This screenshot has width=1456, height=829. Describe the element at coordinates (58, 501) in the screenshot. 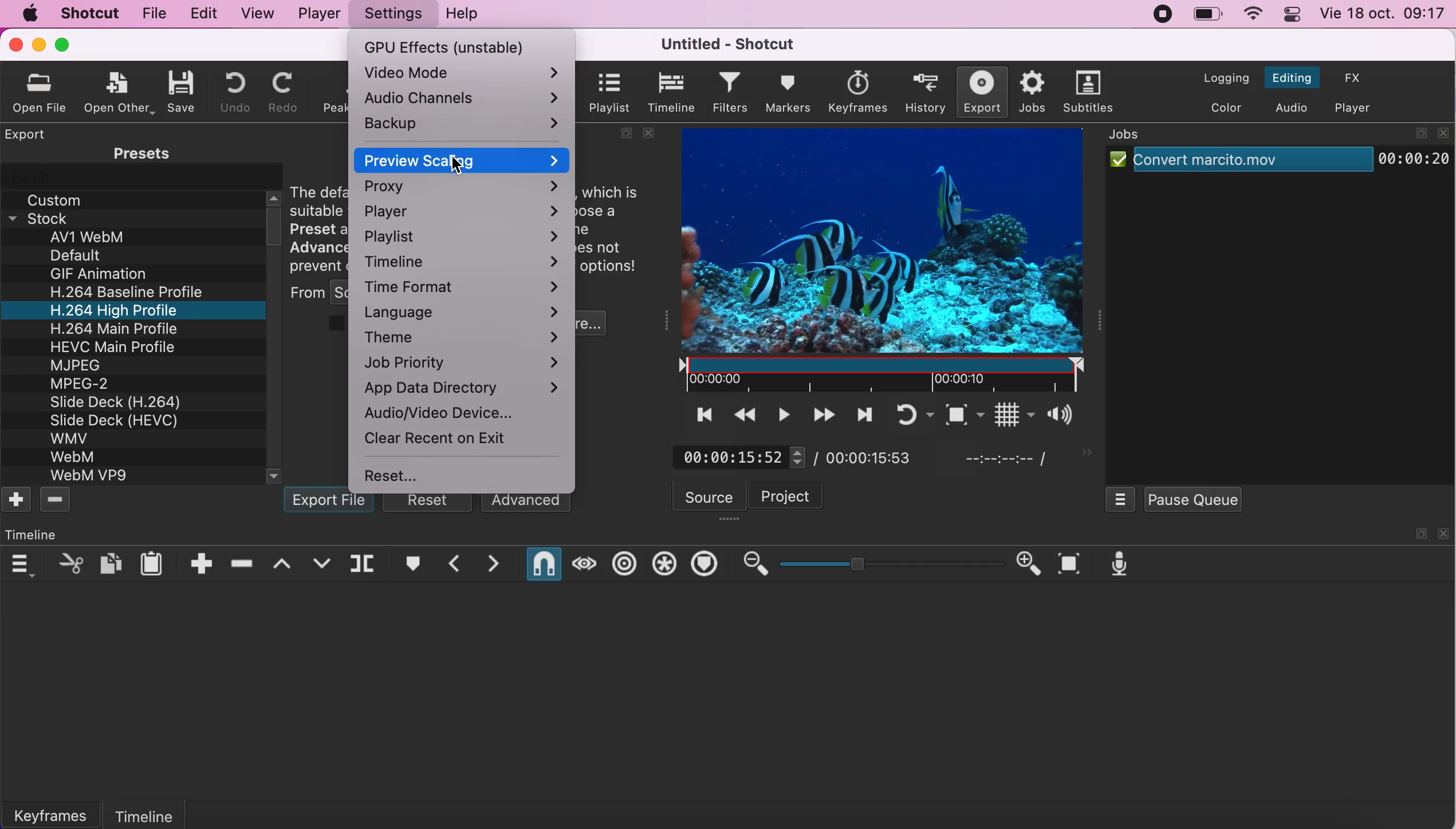

I see `delete` at that location.